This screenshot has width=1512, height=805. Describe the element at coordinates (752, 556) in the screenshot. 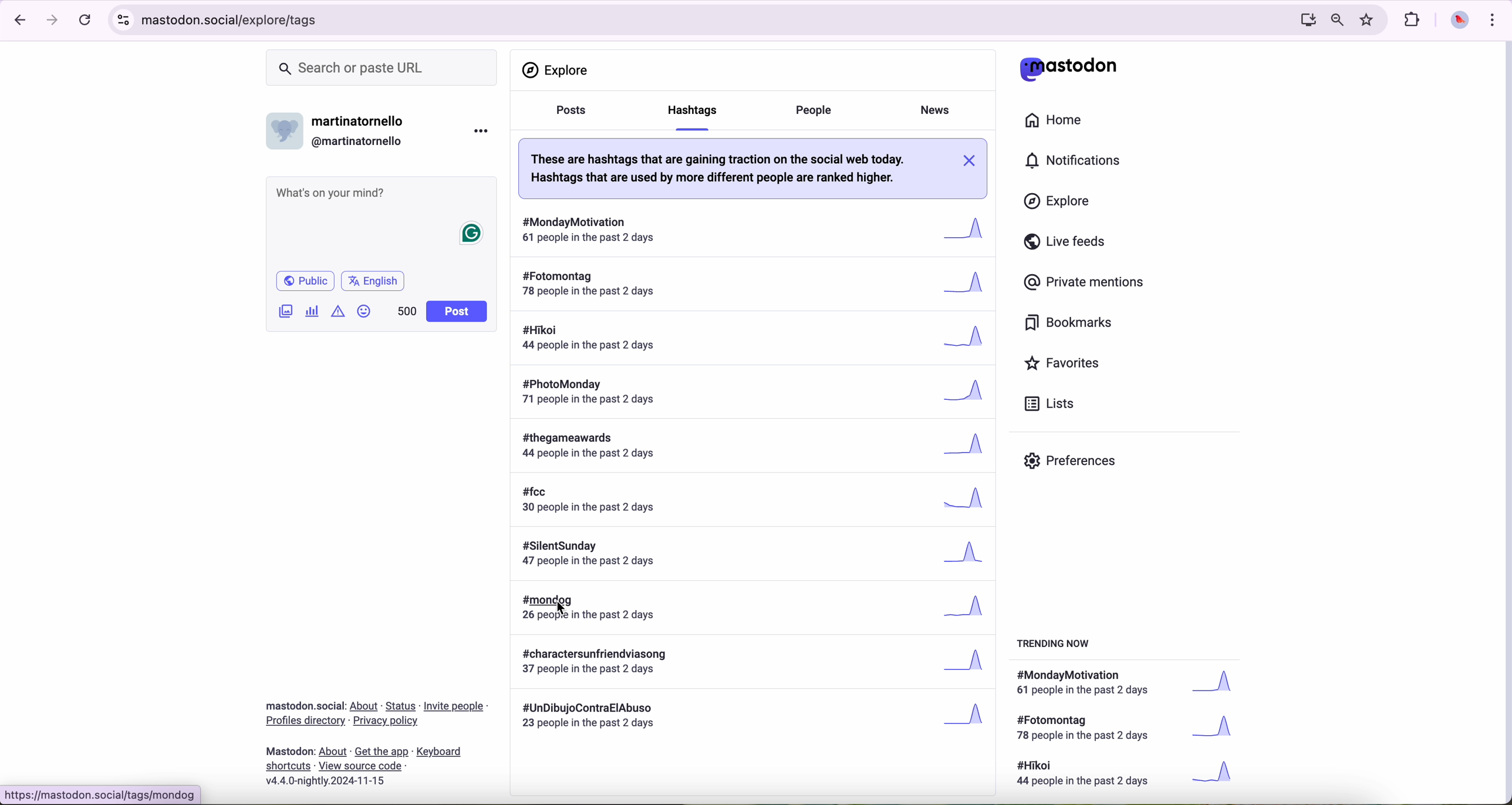

I see `#SilentSunday` at that location.